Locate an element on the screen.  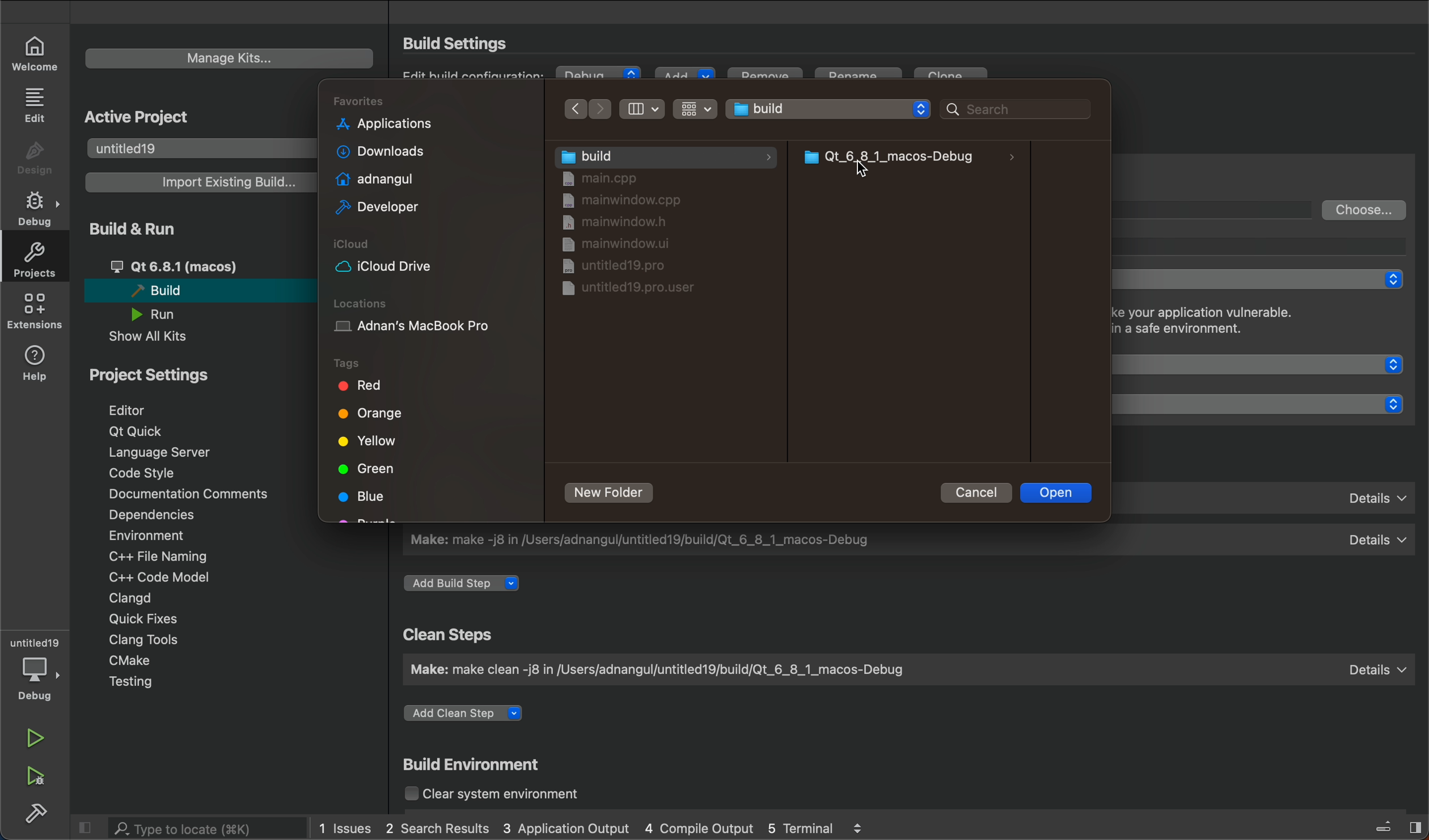
make is located at coordinates (905, 669).